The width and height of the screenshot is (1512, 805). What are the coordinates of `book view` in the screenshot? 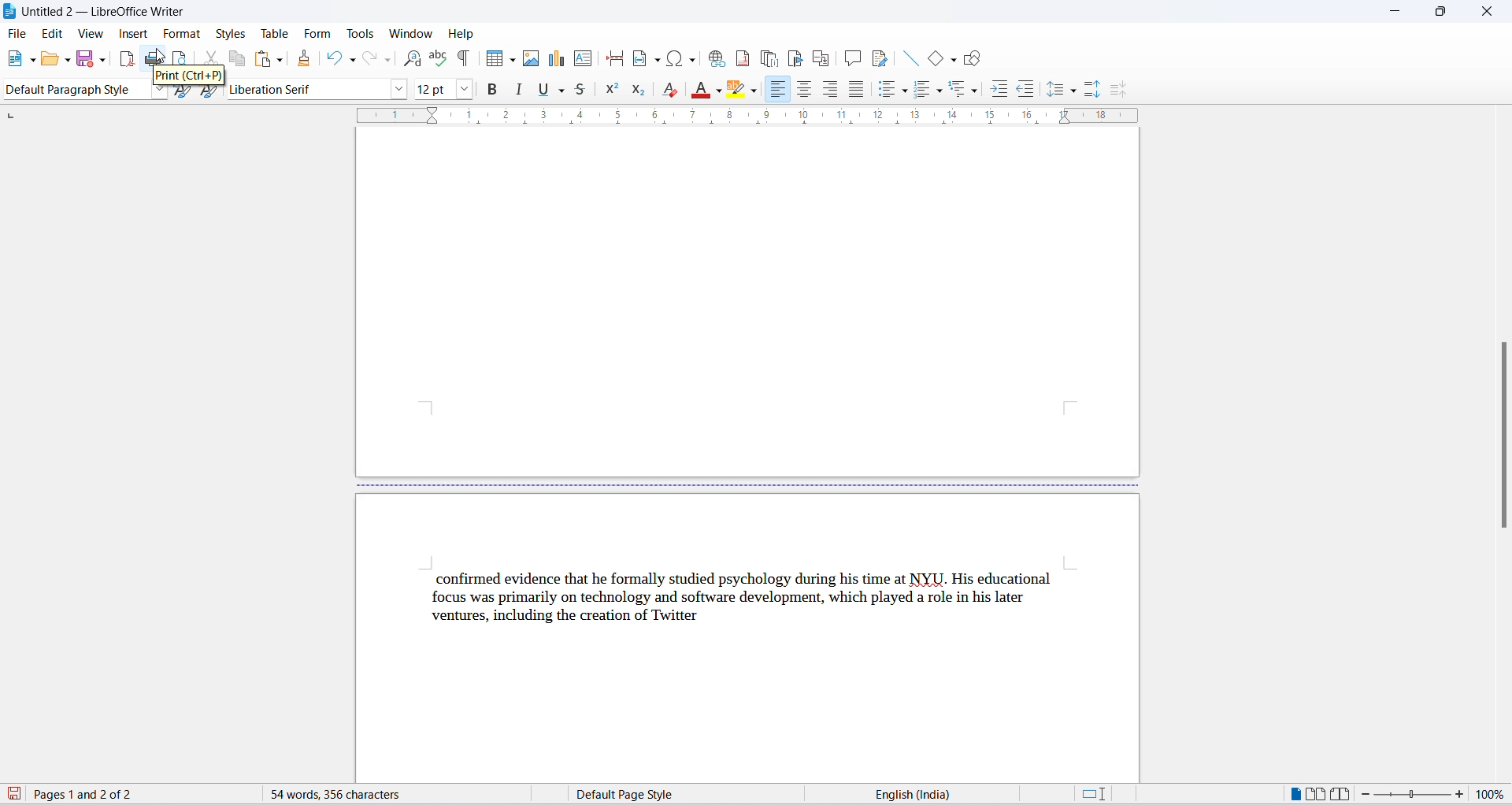 It's located at (1343, 795).